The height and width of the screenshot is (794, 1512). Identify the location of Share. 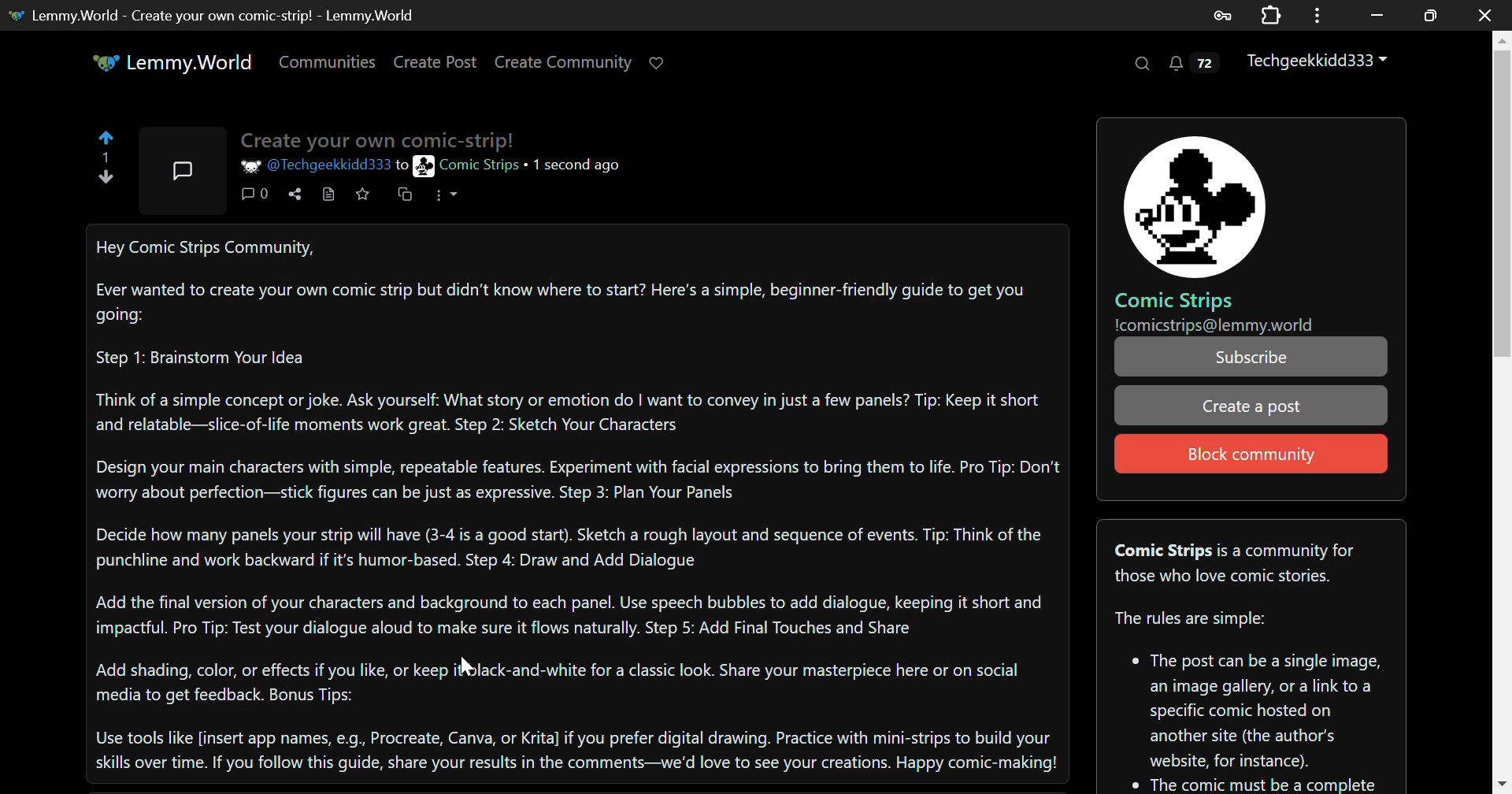
(294, 197).